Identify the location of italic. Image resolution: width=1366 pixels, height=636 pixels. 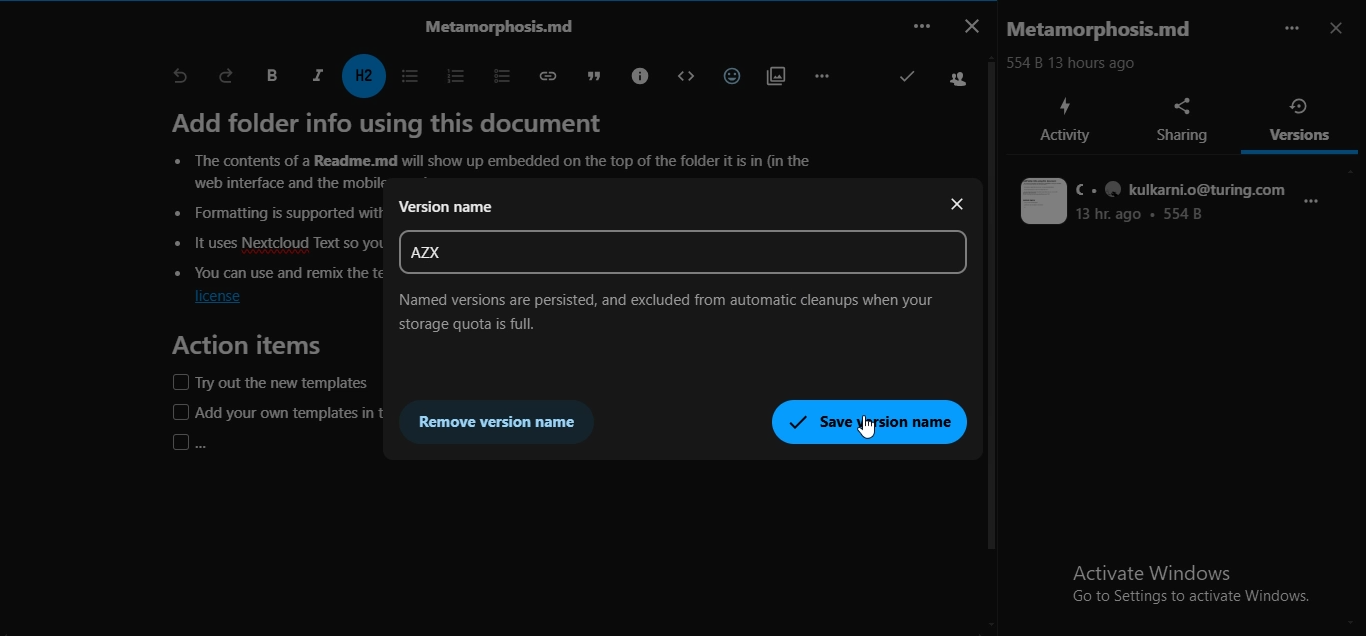
(317, 74).